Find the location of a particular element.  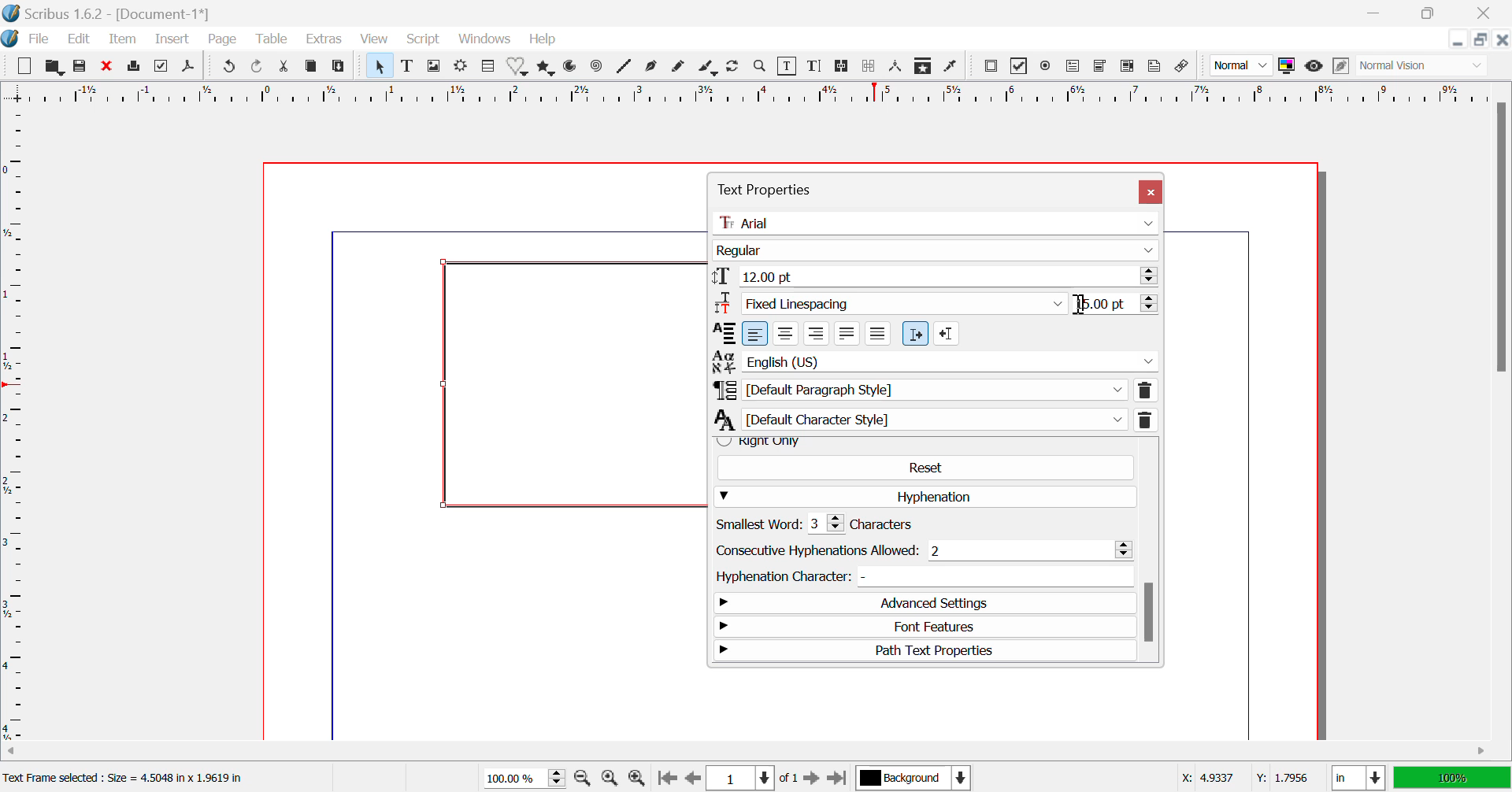

Scroll Bar is located at coordinates (1149, 552).